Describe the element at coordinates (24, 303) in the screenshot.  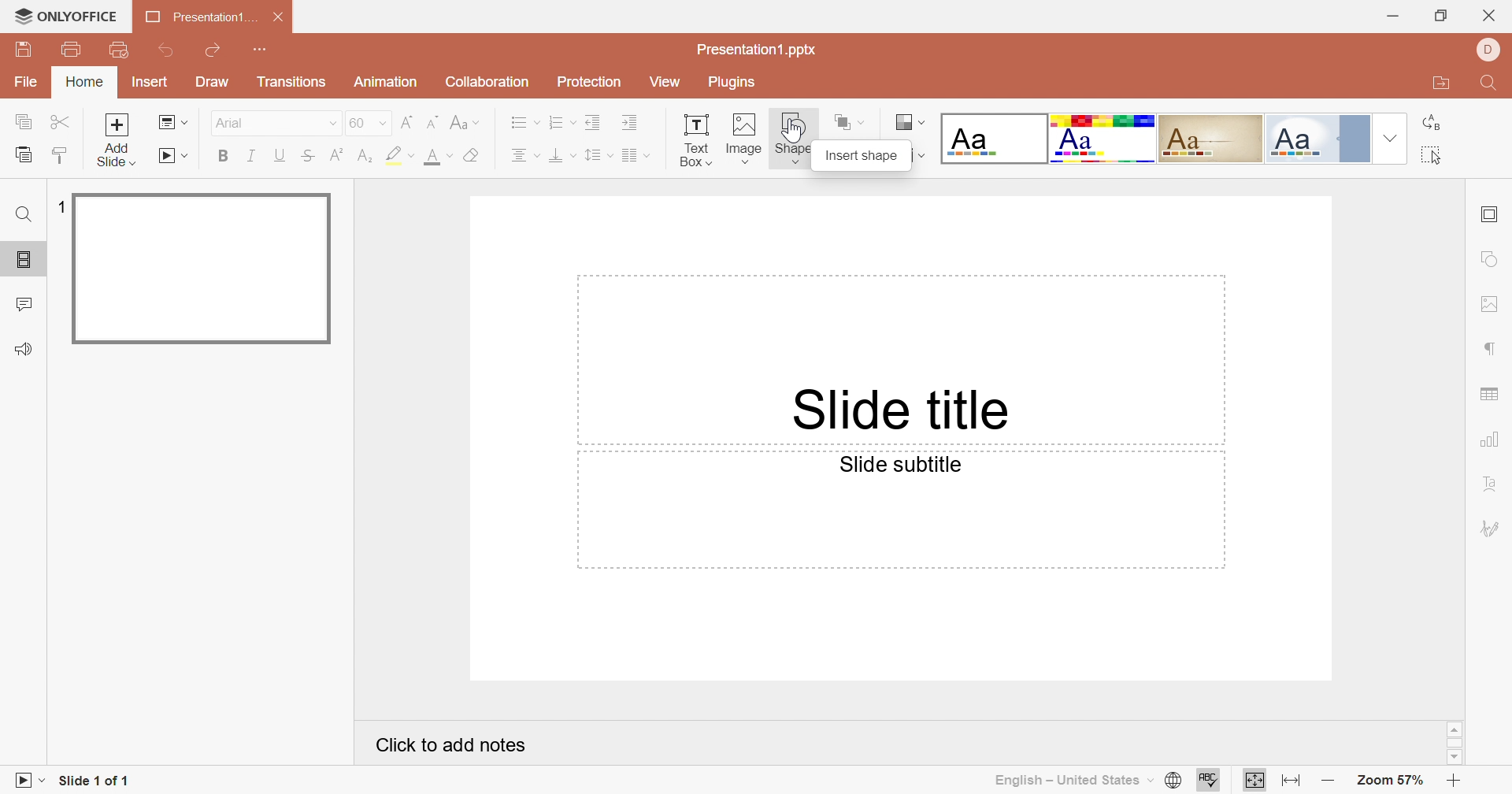
I see `Comments` at that location.